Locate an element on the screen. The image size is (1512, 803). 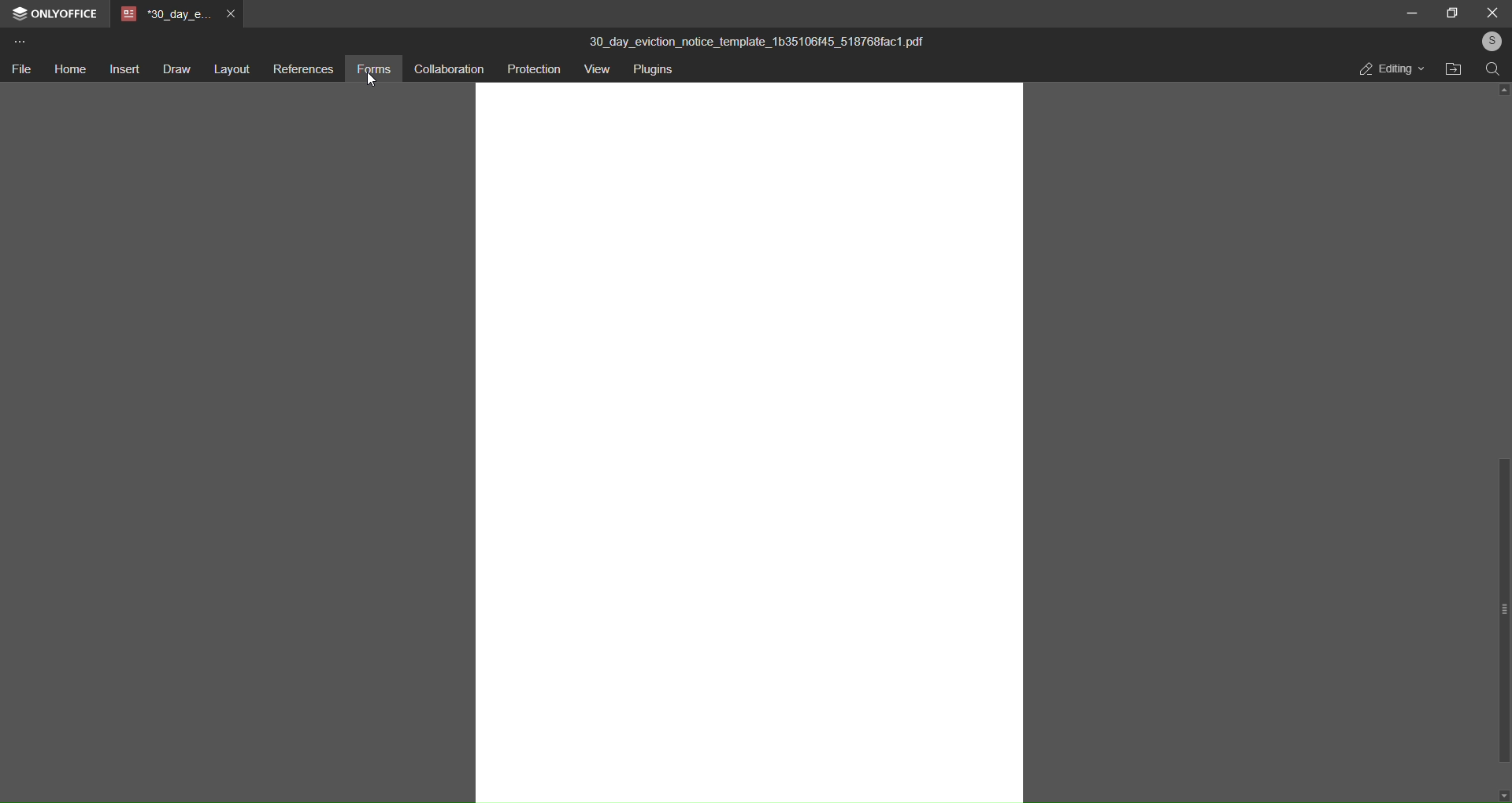
tab name is located at coordinates (170, 13).